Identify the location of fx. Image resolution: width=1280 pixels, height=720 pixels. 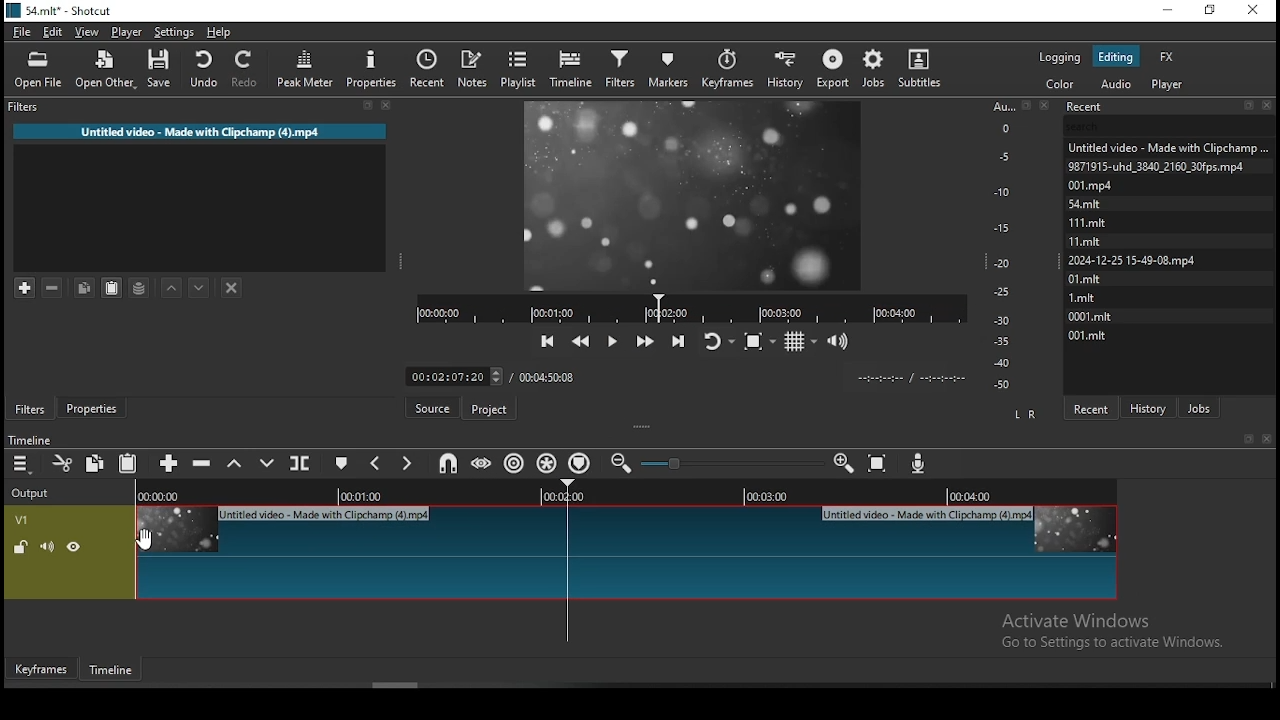
(1168, 56).